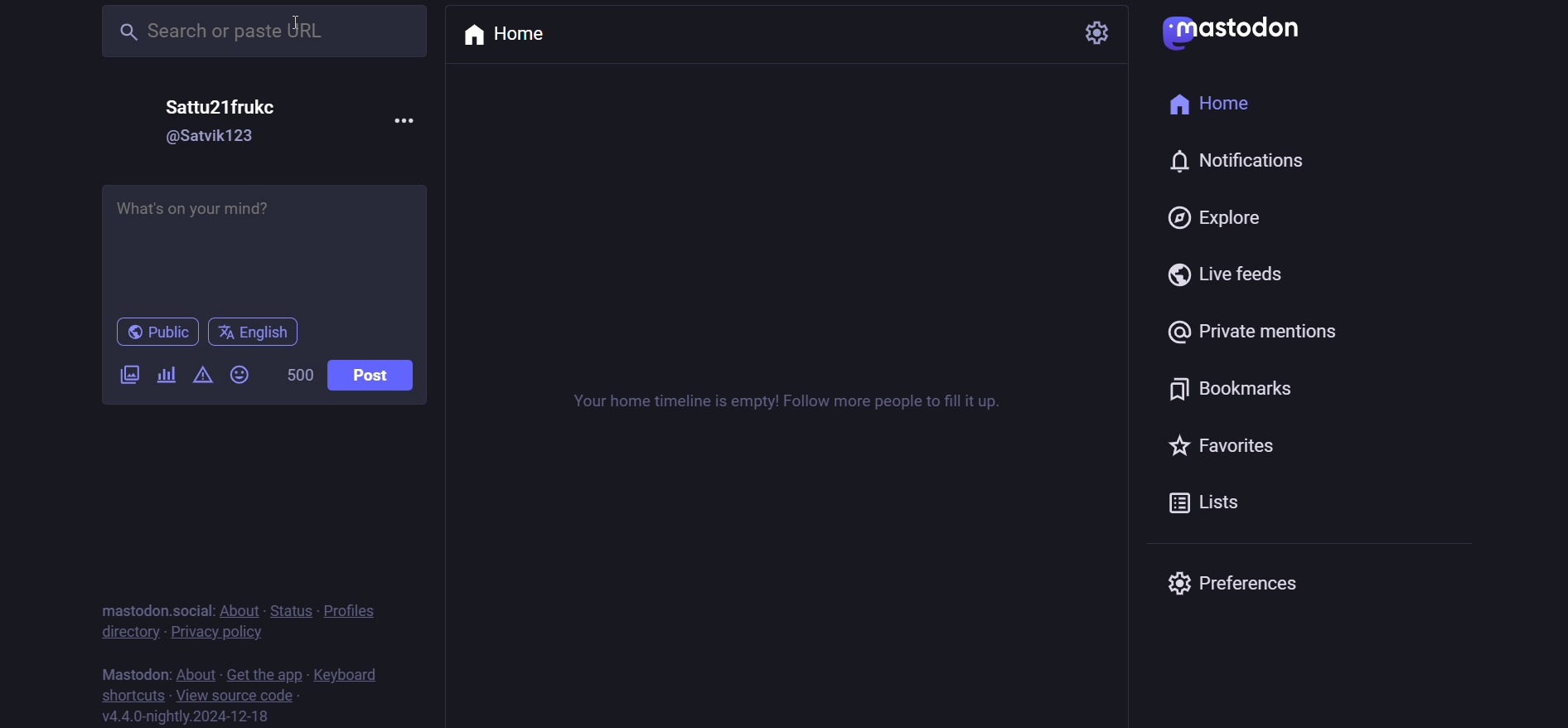 Image resolution: width=1568 pixels, height=728 pixels. What do you see at coordinates (222, 633) in the screenshot?
I see `privacy policy` at bounding box center [222, 633].